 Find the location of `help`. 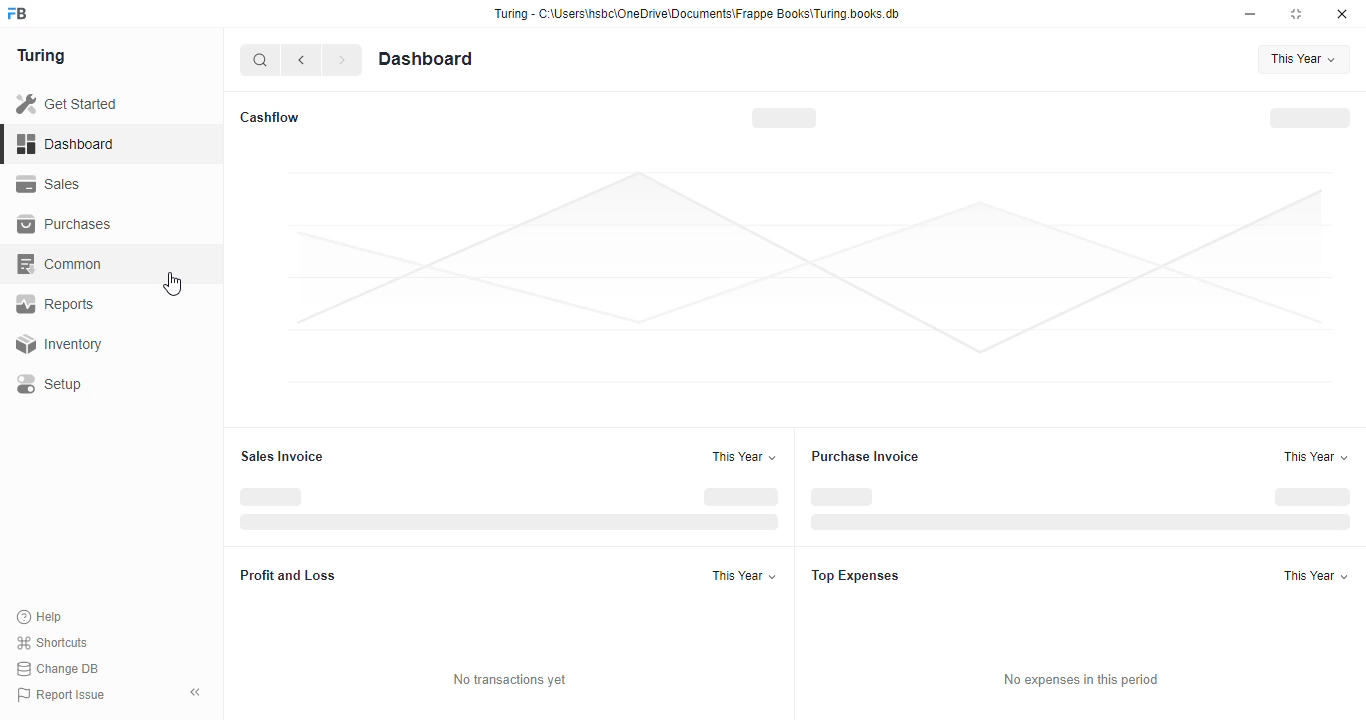

help is located at coordinates (41, 616).